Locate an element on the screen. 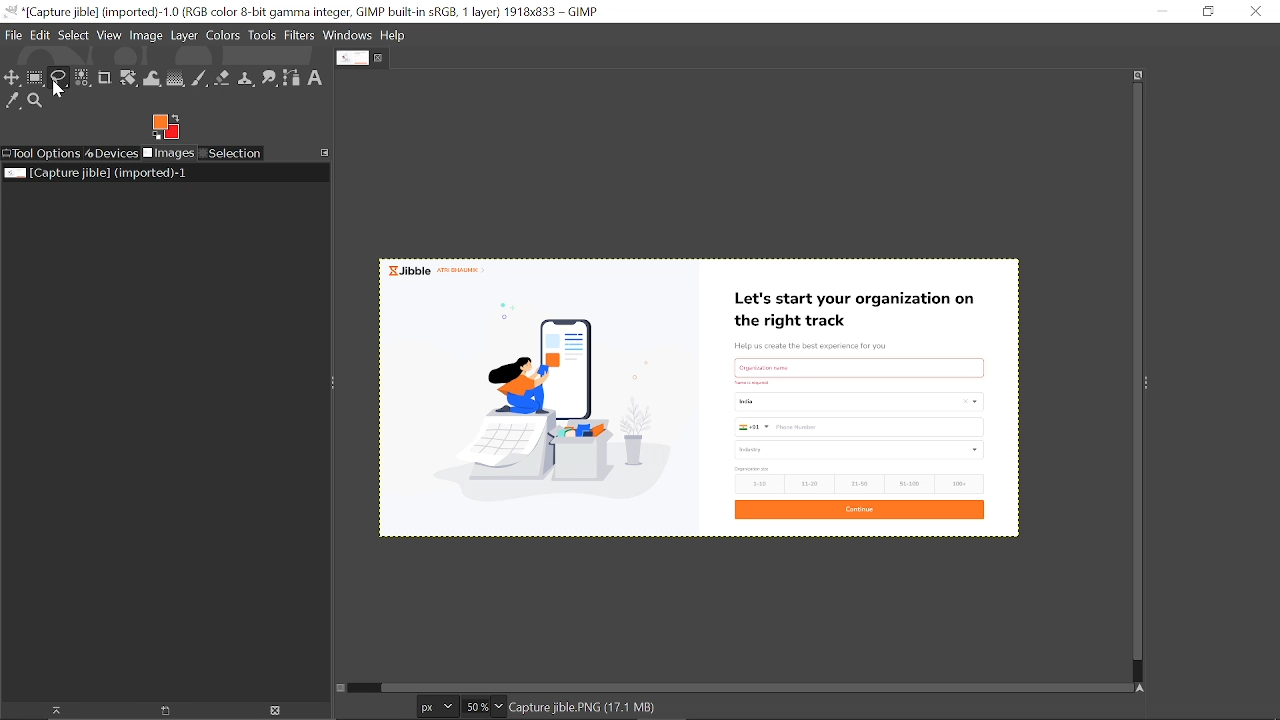 This screenshot has width=1280, height=720. Zoom options is located at coordinates (499, 707).